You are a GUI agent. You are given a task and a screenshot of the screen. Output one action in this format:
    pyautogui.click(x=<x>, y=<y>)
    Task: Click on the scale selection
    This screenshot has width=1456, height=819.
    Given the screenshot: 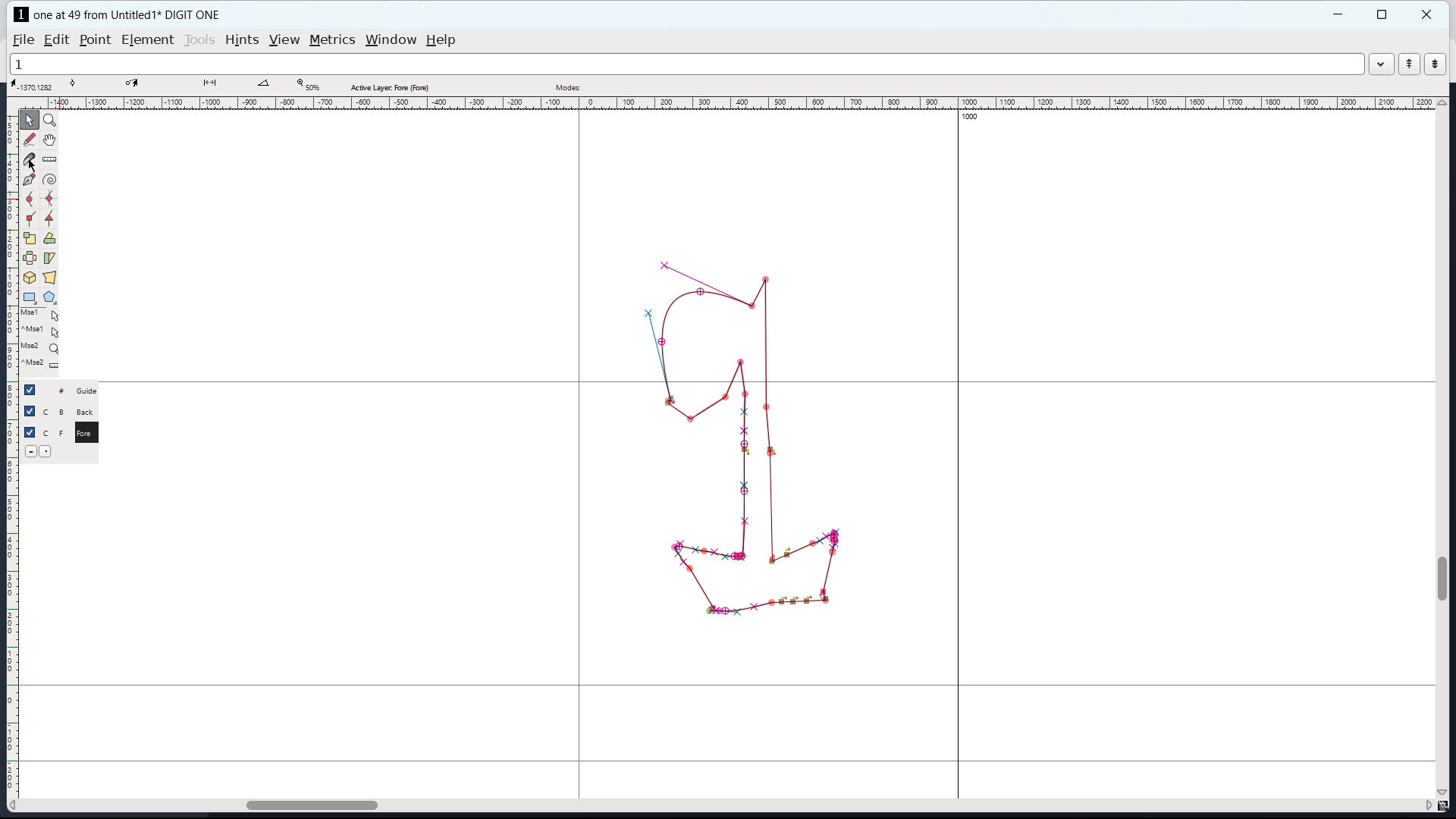 What is the action you would take?
    pyautogui.click(x=29, y=238)
    